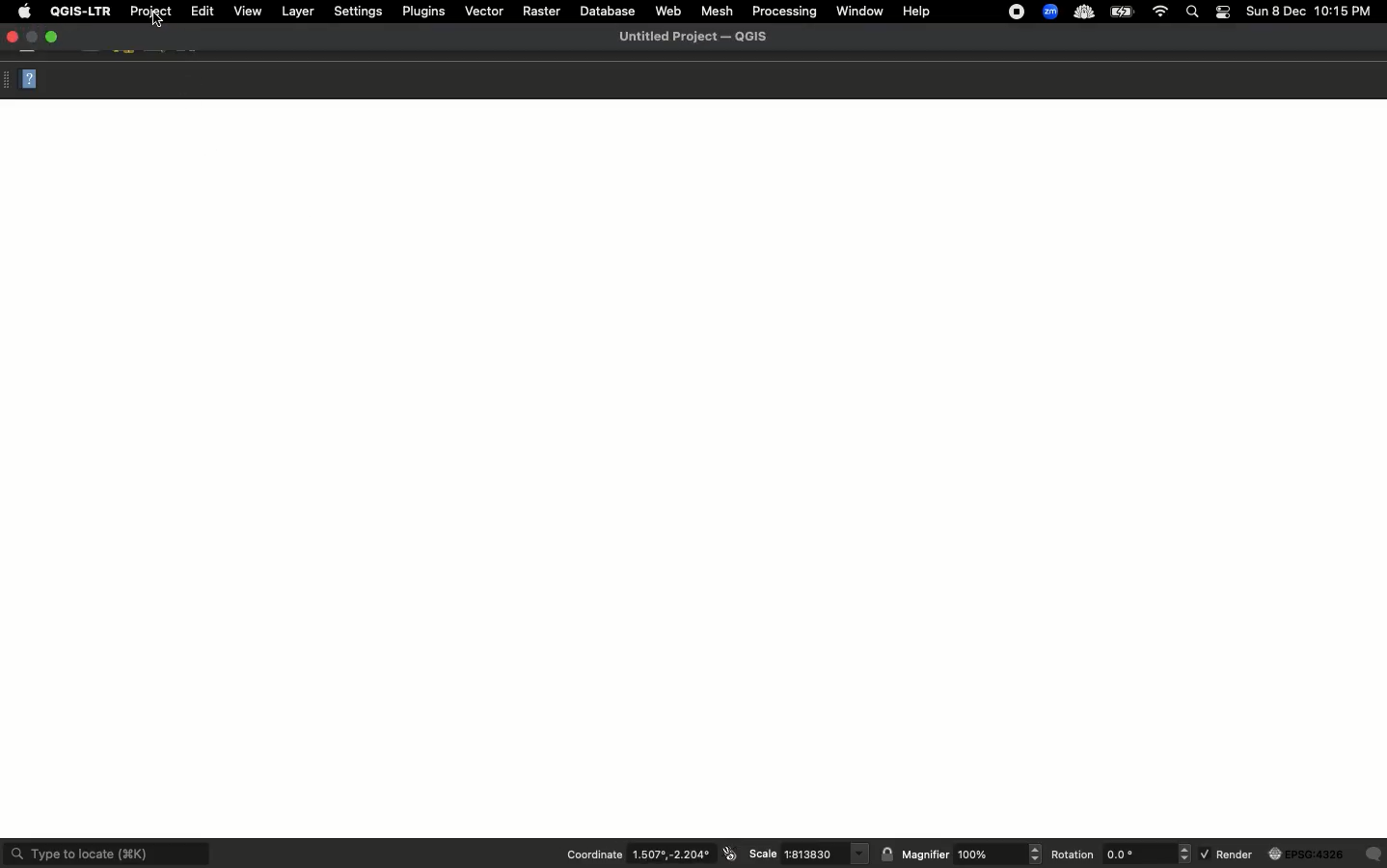 The width and height of the screenshot is (1387, 868). I want to click on Apple, so click(23, 12).